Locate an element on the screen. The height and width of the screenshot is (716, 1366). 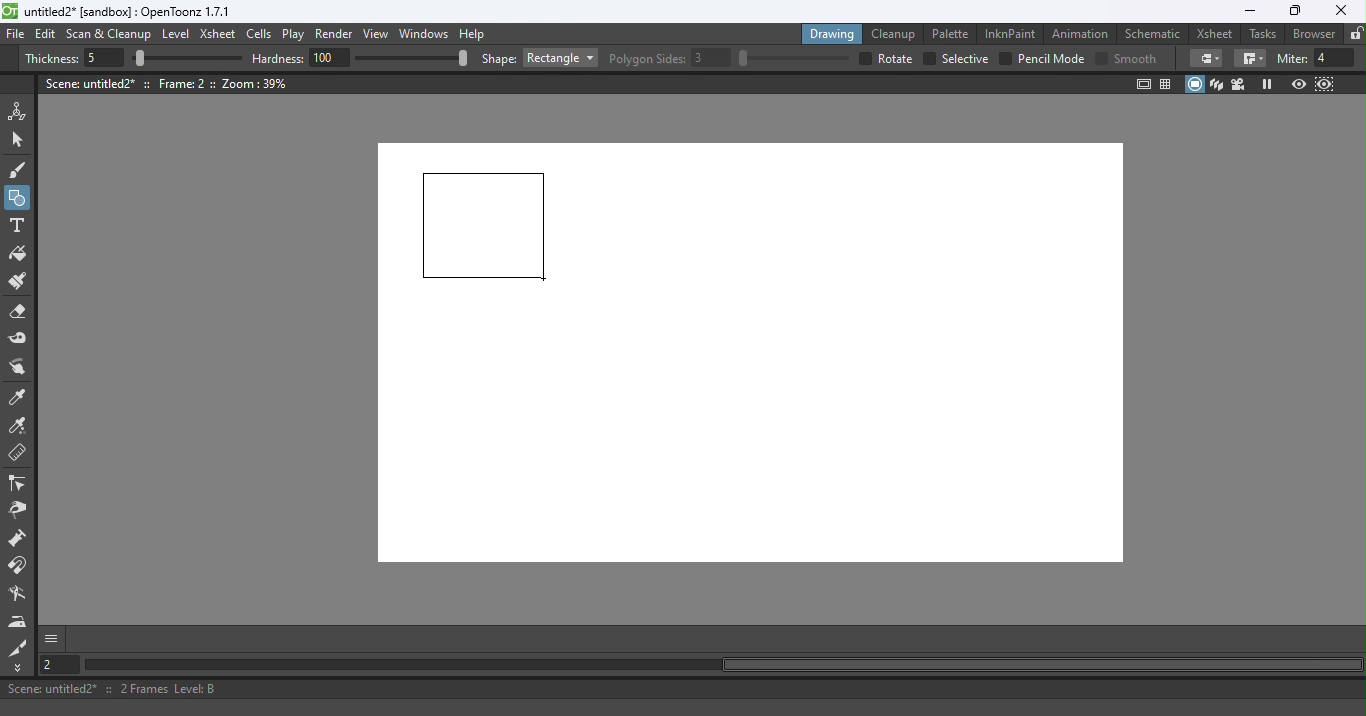
Eraser tool is located at coordinates (23, 312).